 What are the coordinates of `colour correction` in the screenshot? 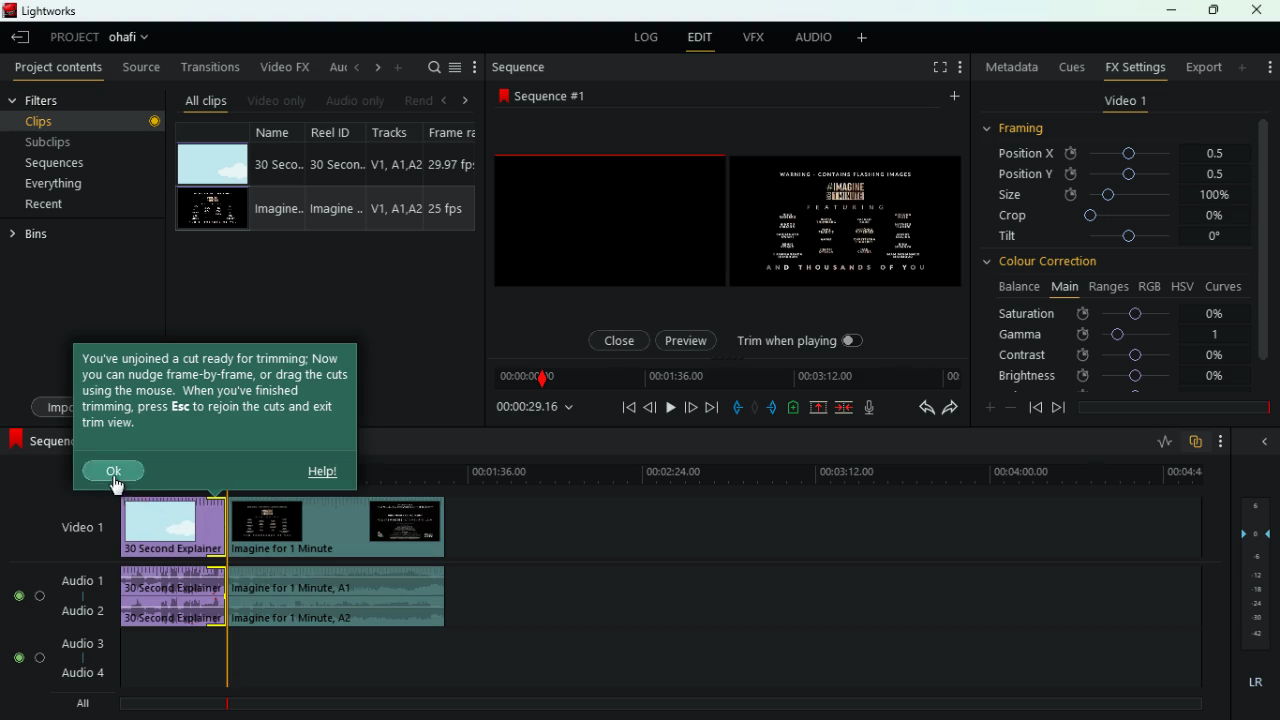 It's located at (1048, 261).